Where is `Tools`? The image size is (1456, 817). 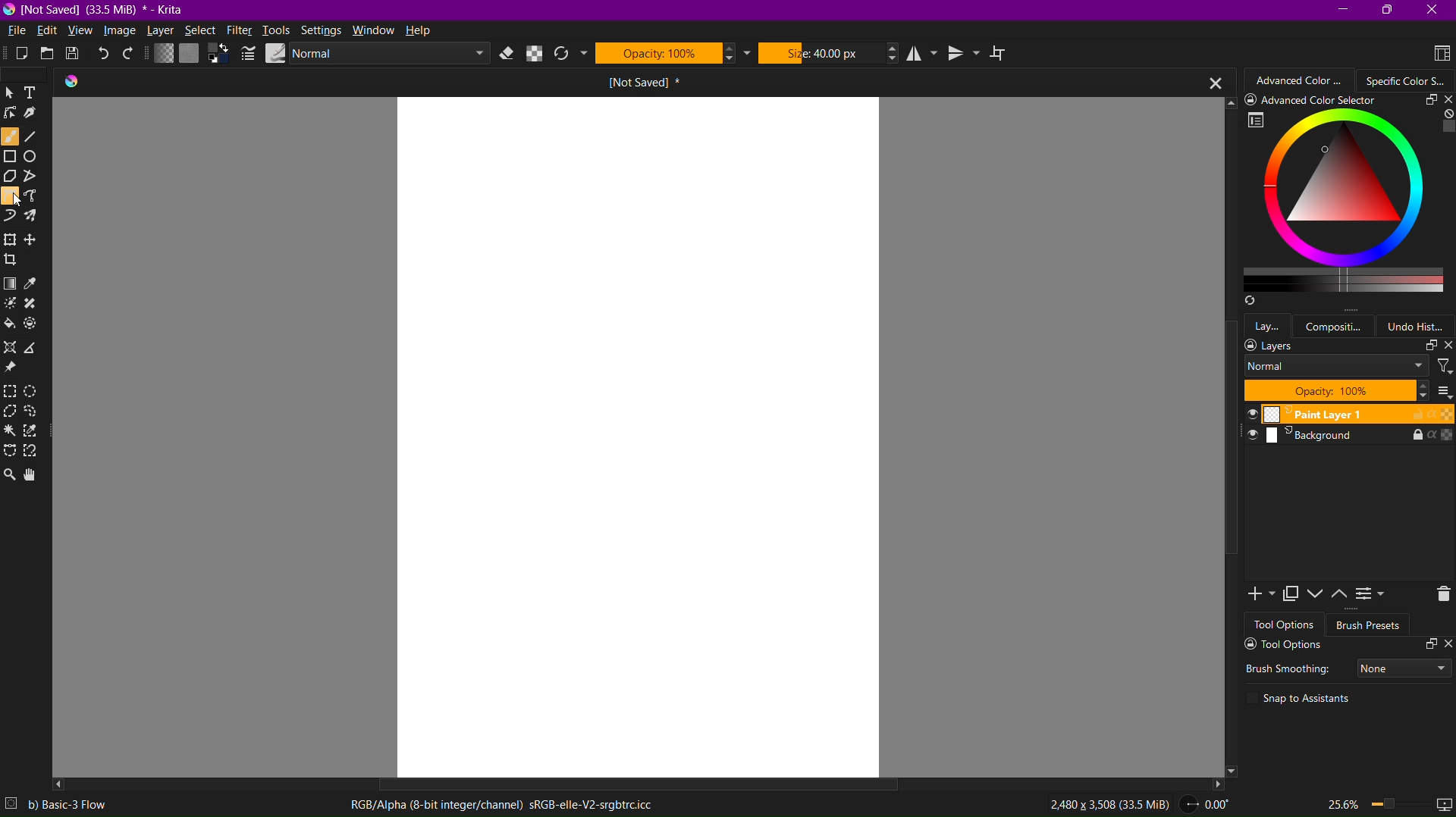
Tools is located at coordinates (278, 30).